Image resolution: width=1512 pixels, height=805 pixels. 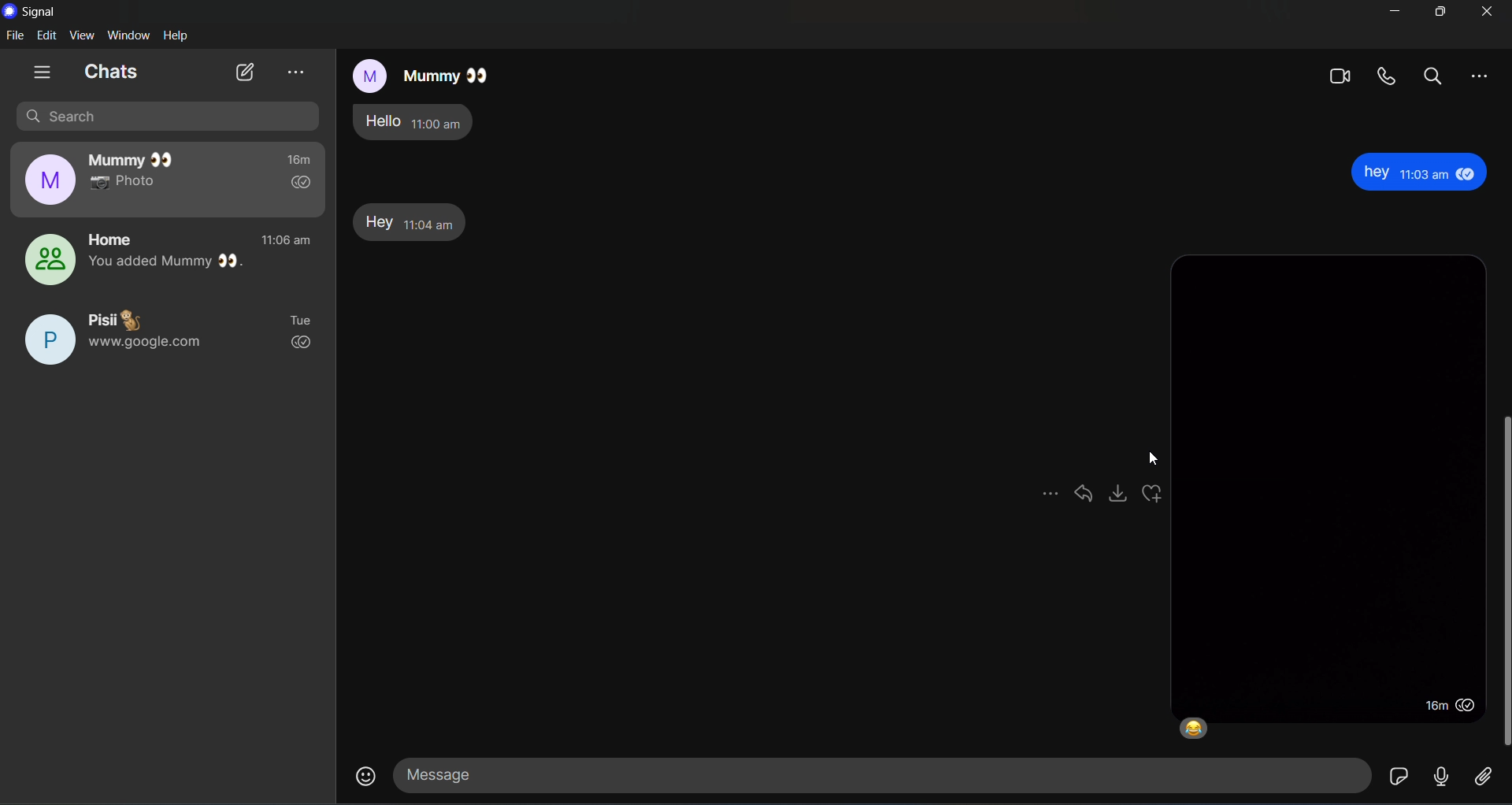 I want to click on maximize, so click(x=1440, y=13).